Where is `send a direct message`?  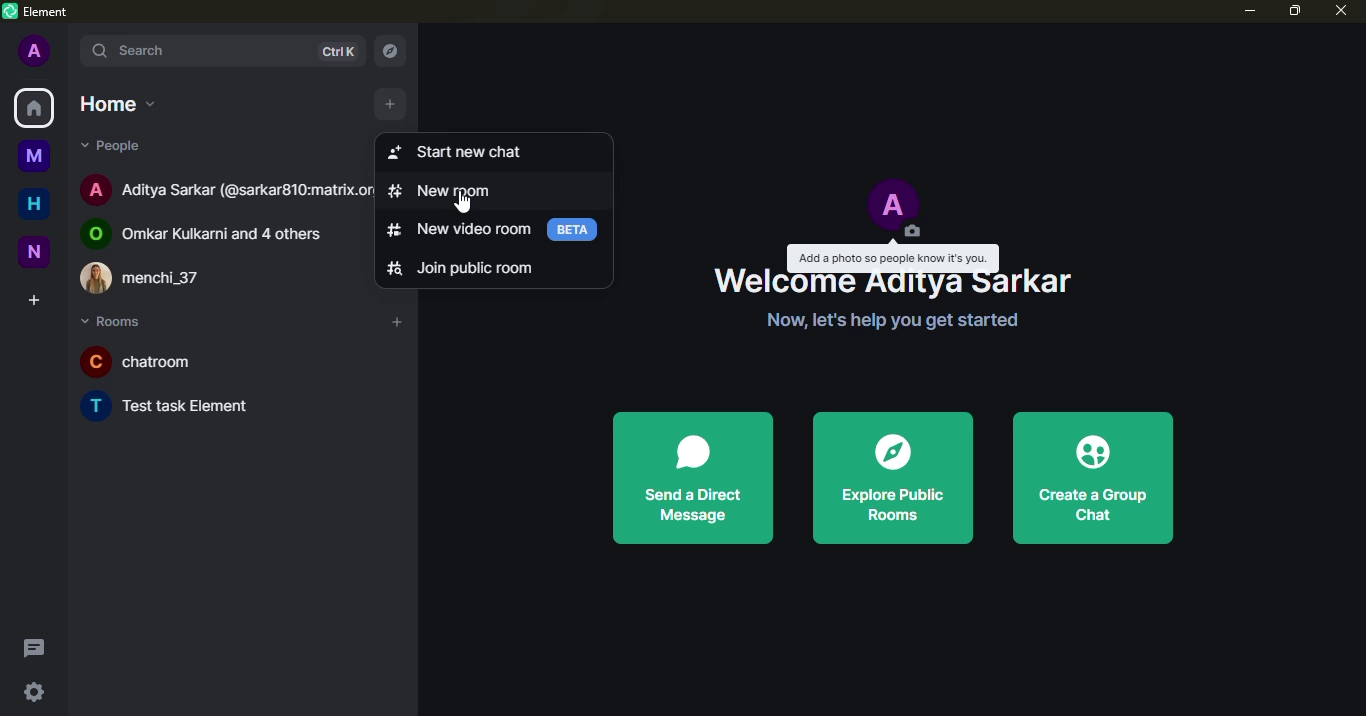
send a direct message is located at coordinates (691, 478).